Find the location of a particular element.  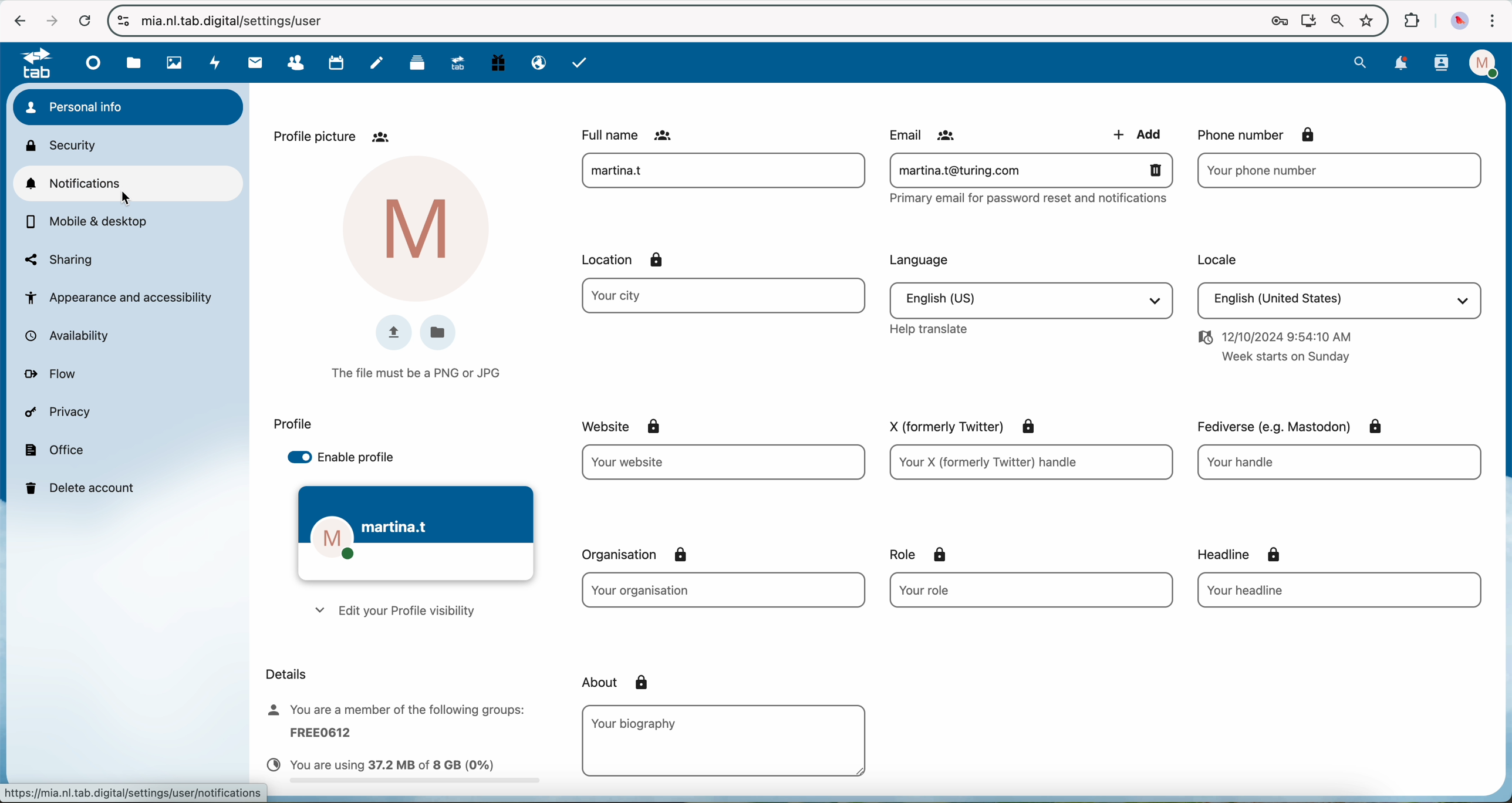

phone number is located at coordinates (1255, 133).